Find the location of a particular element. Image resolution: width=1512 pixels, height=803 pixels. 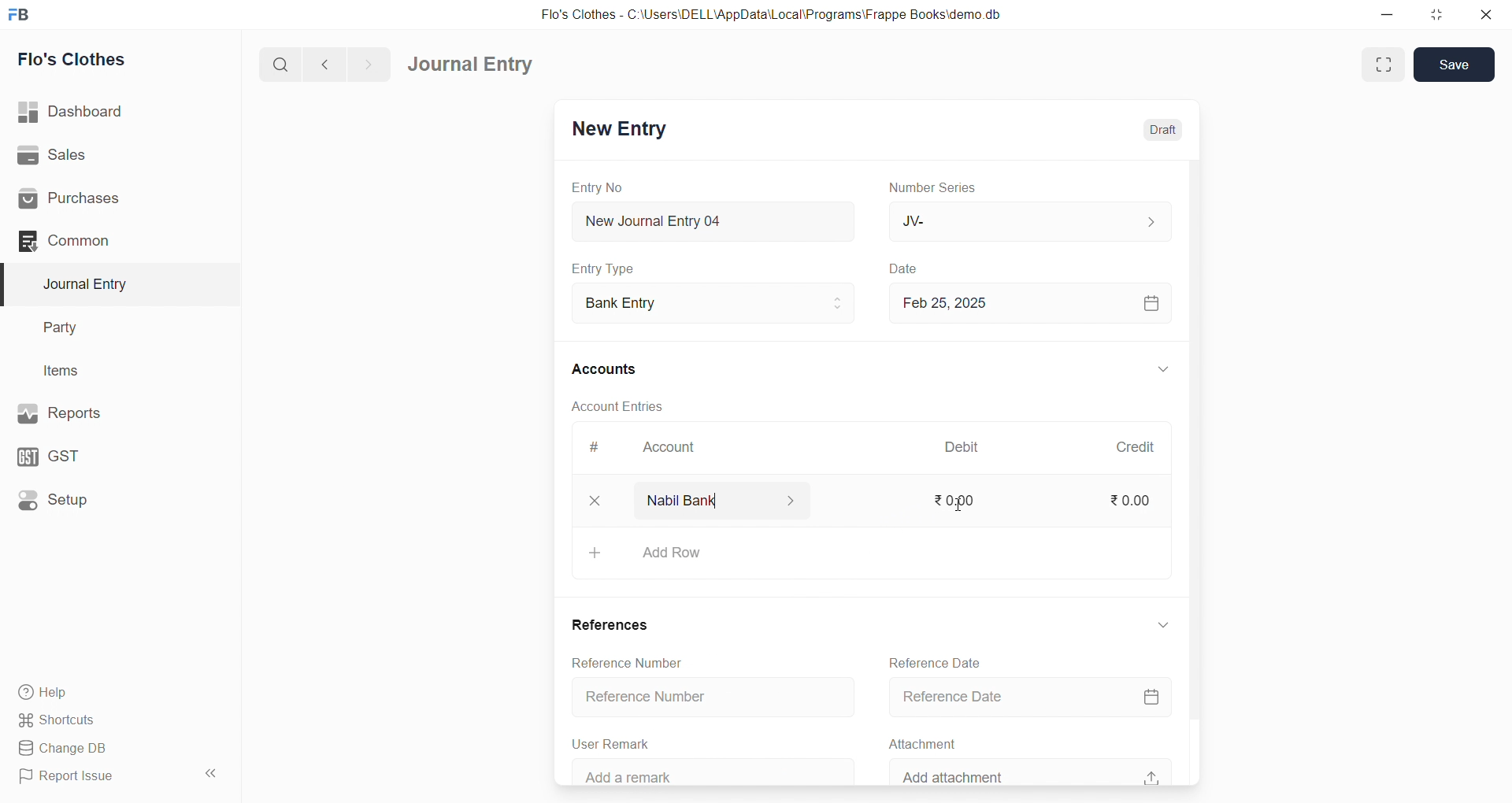

₹ 0.00 is located at coordinates (1128, 503).